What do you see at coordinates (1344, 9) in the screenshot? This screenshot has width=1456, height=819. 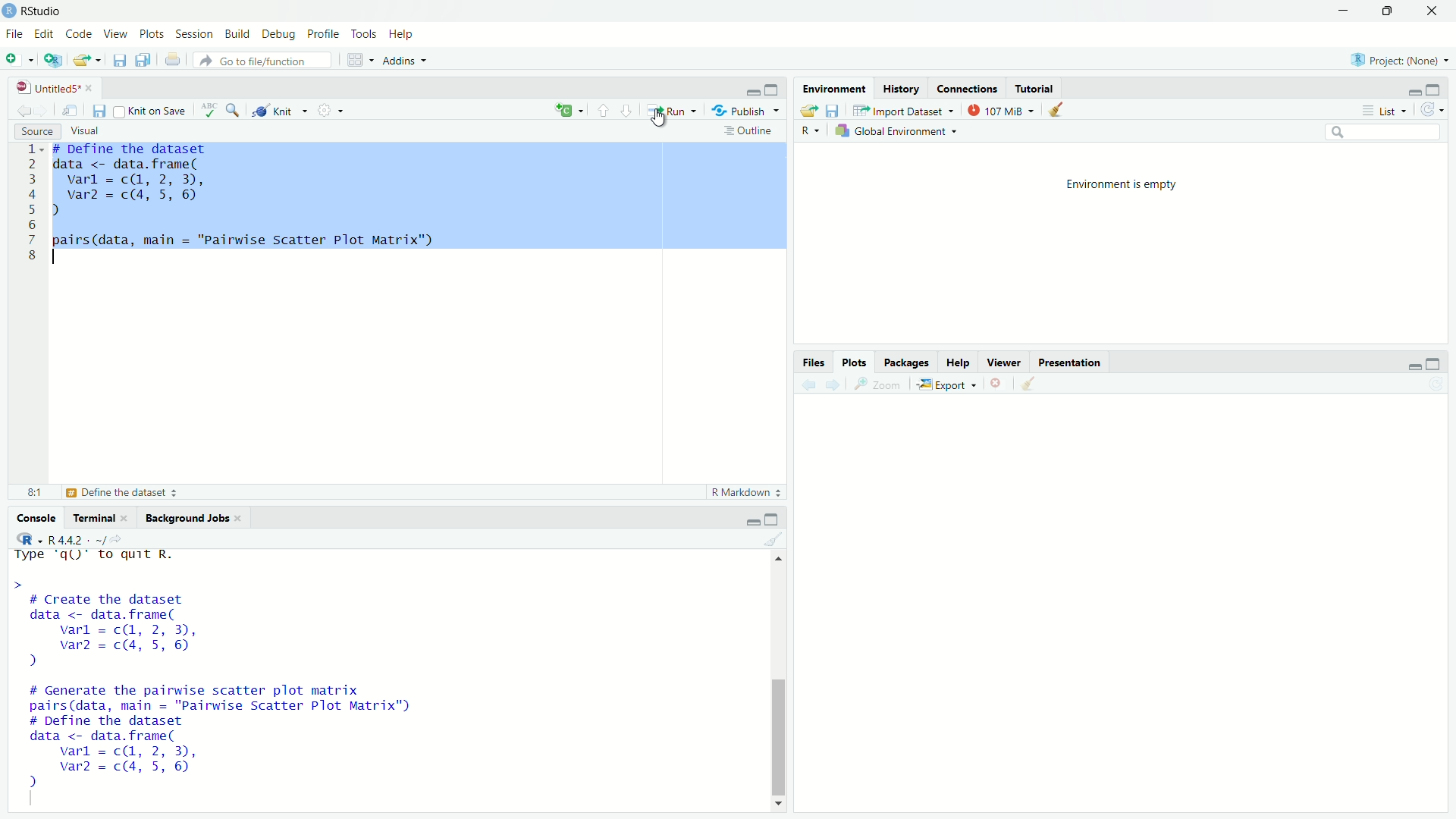 I see `Minimize` at bounding box center [1344, 9].